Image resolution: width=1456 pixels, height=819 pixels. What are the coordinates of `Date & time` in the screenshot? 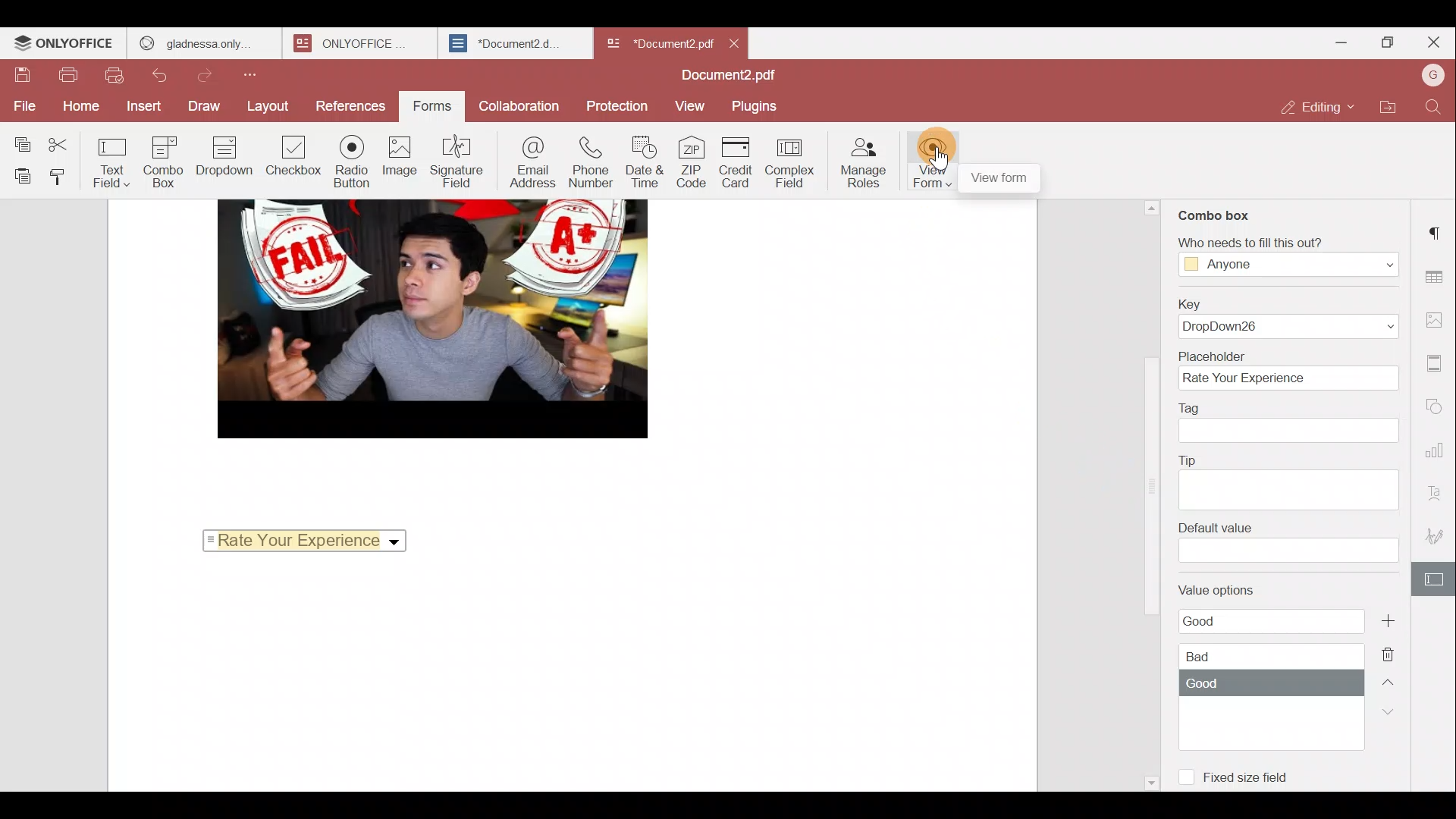 It's located at (645, 165).